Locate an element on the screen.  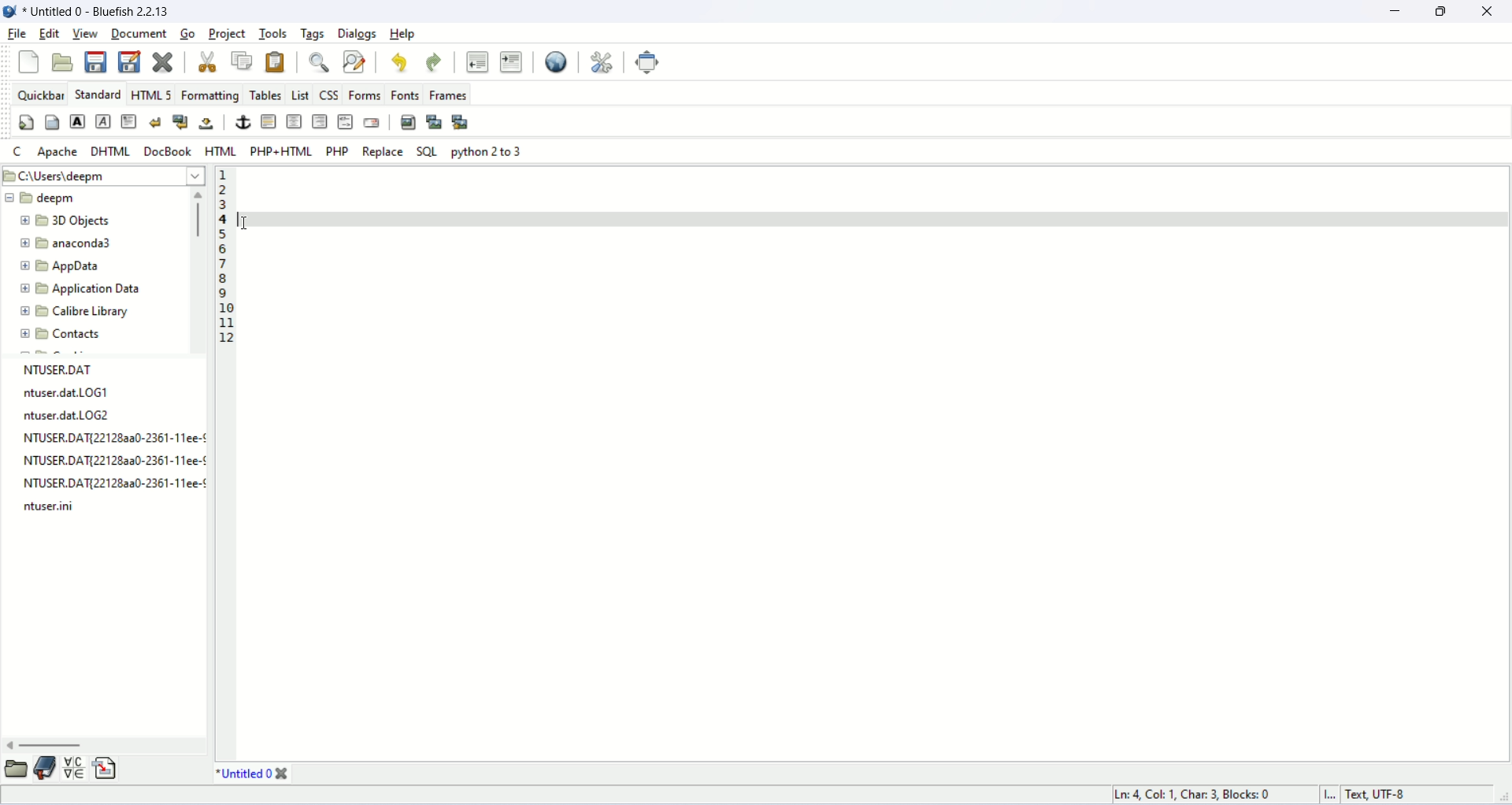
close current file is located at coordinates (165, 62).